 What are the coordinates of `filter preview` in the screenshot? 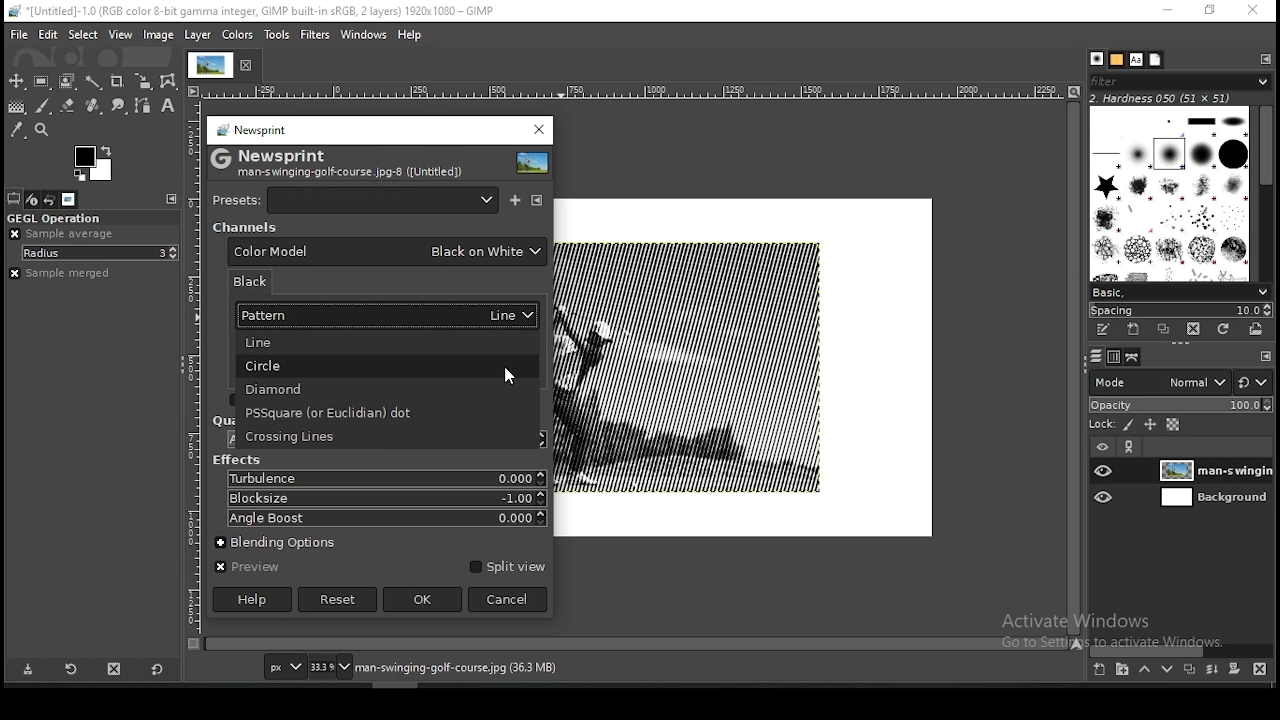 It's located at (534, 162).